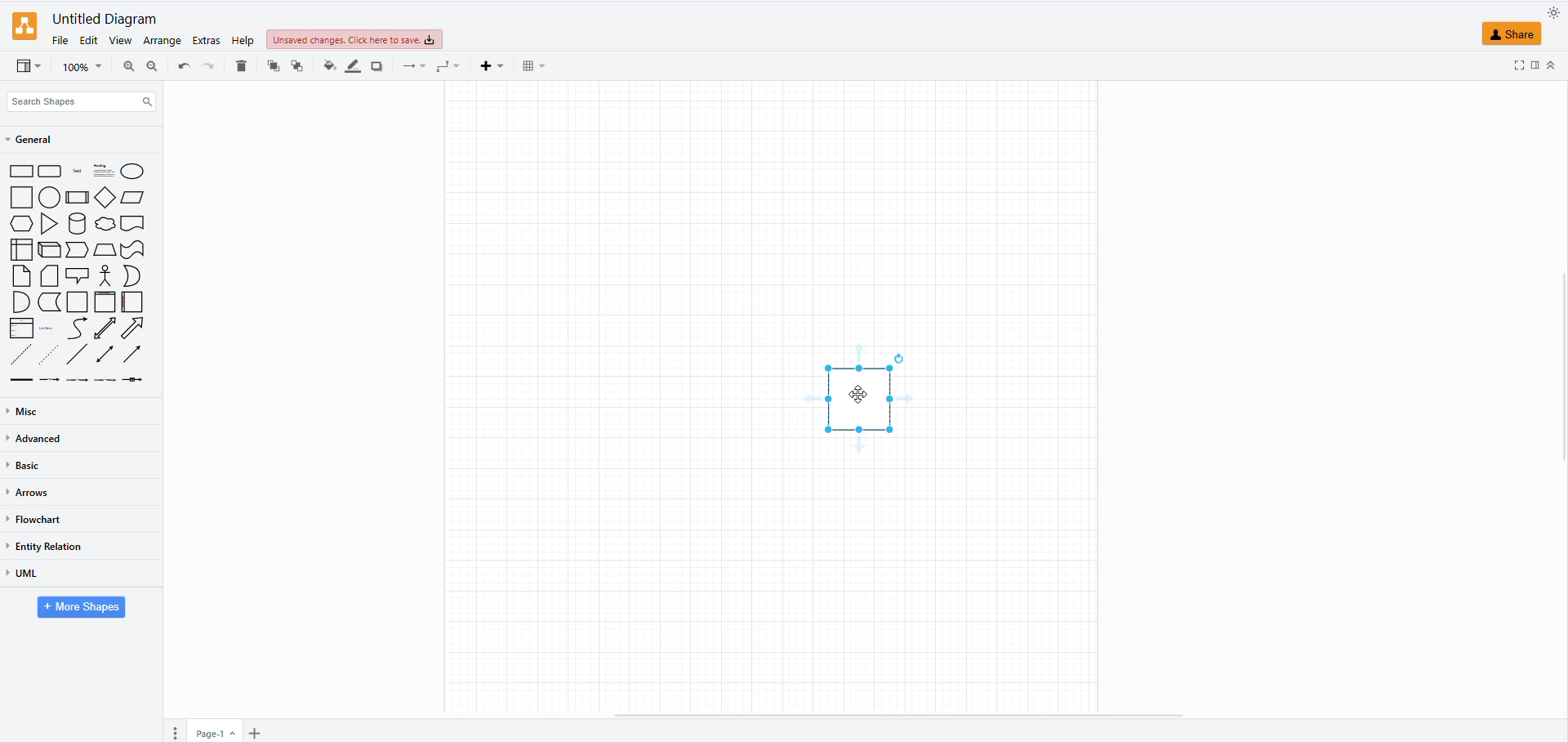  Describe the element at coordinates (51, 172) in the screenshot. I see `rounded rectangle` at that location.